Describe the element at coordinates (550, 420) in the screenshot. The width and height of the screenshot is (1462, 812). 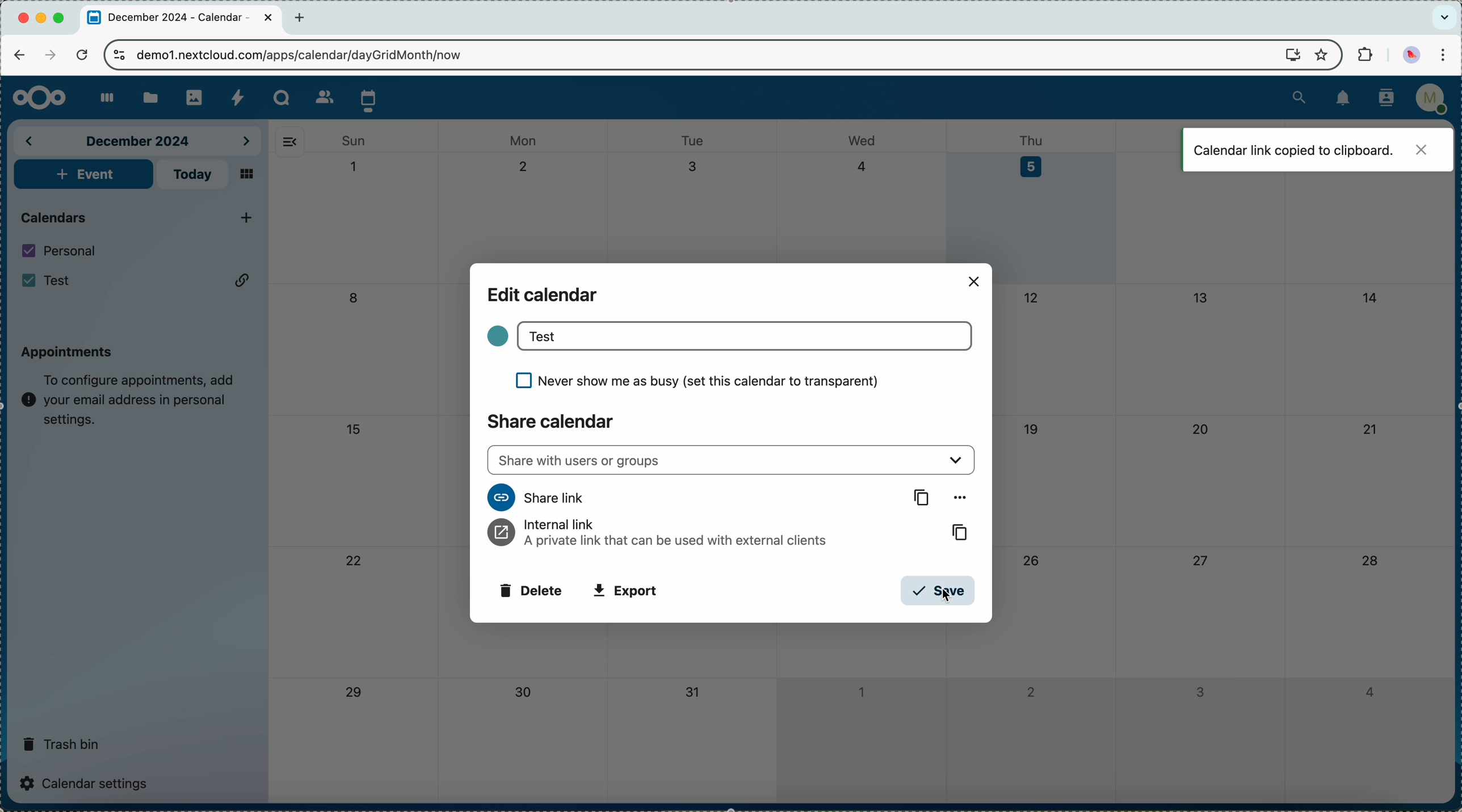
I see `share calendar` at that location.